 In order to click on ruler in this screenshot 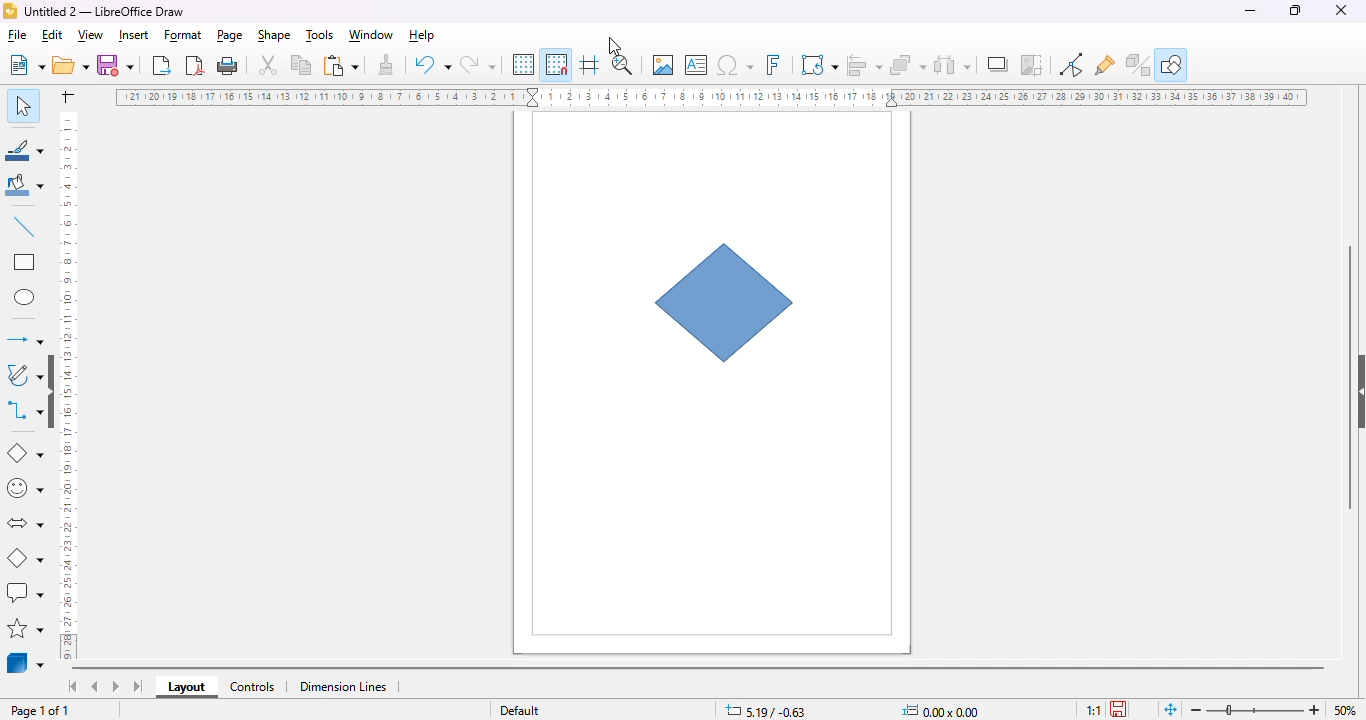, I will do `click(710, 96)`.